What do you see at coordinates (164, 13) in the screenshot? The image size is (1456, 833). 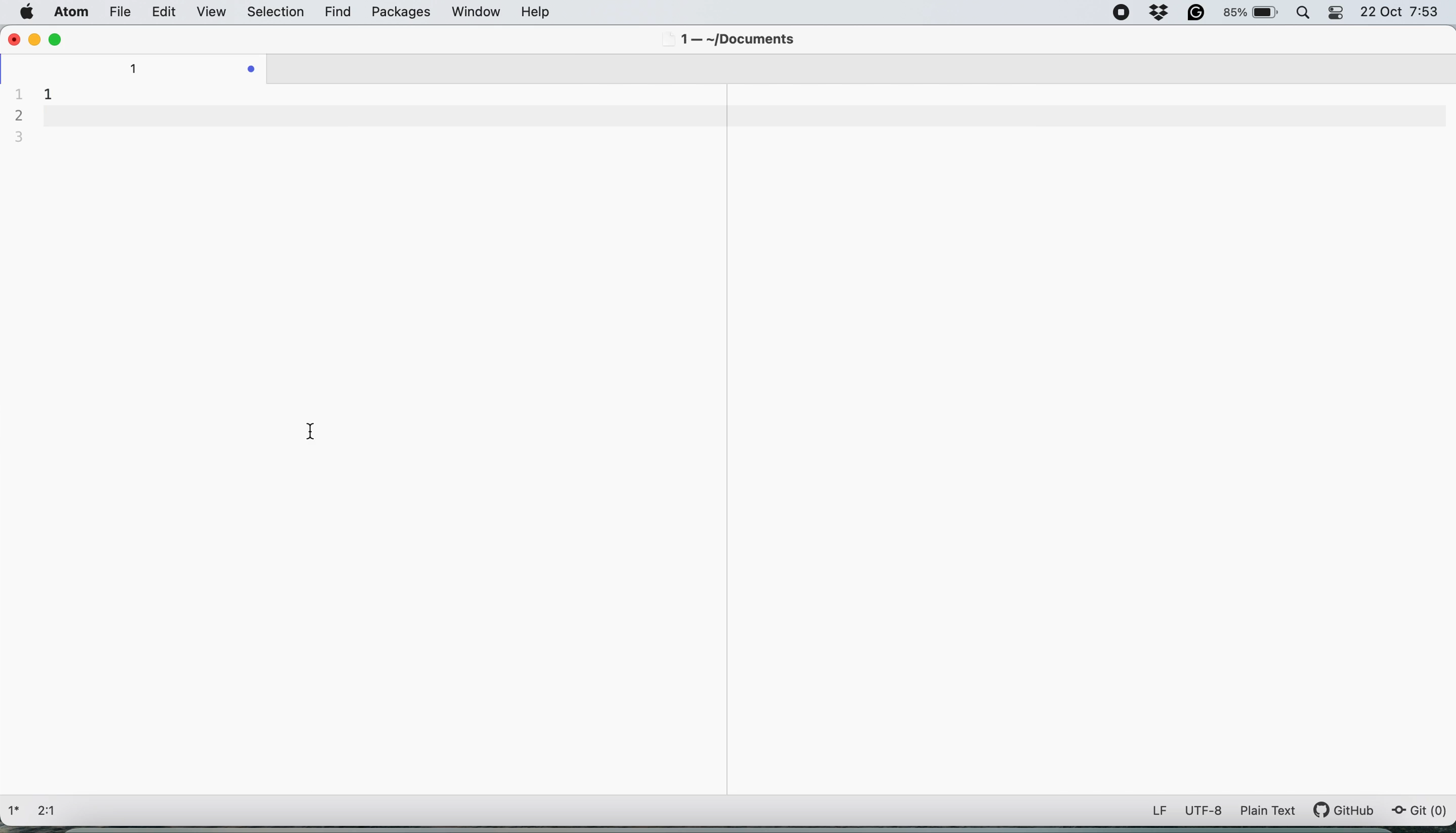 I see `edit` at bounding box center [164, 13].